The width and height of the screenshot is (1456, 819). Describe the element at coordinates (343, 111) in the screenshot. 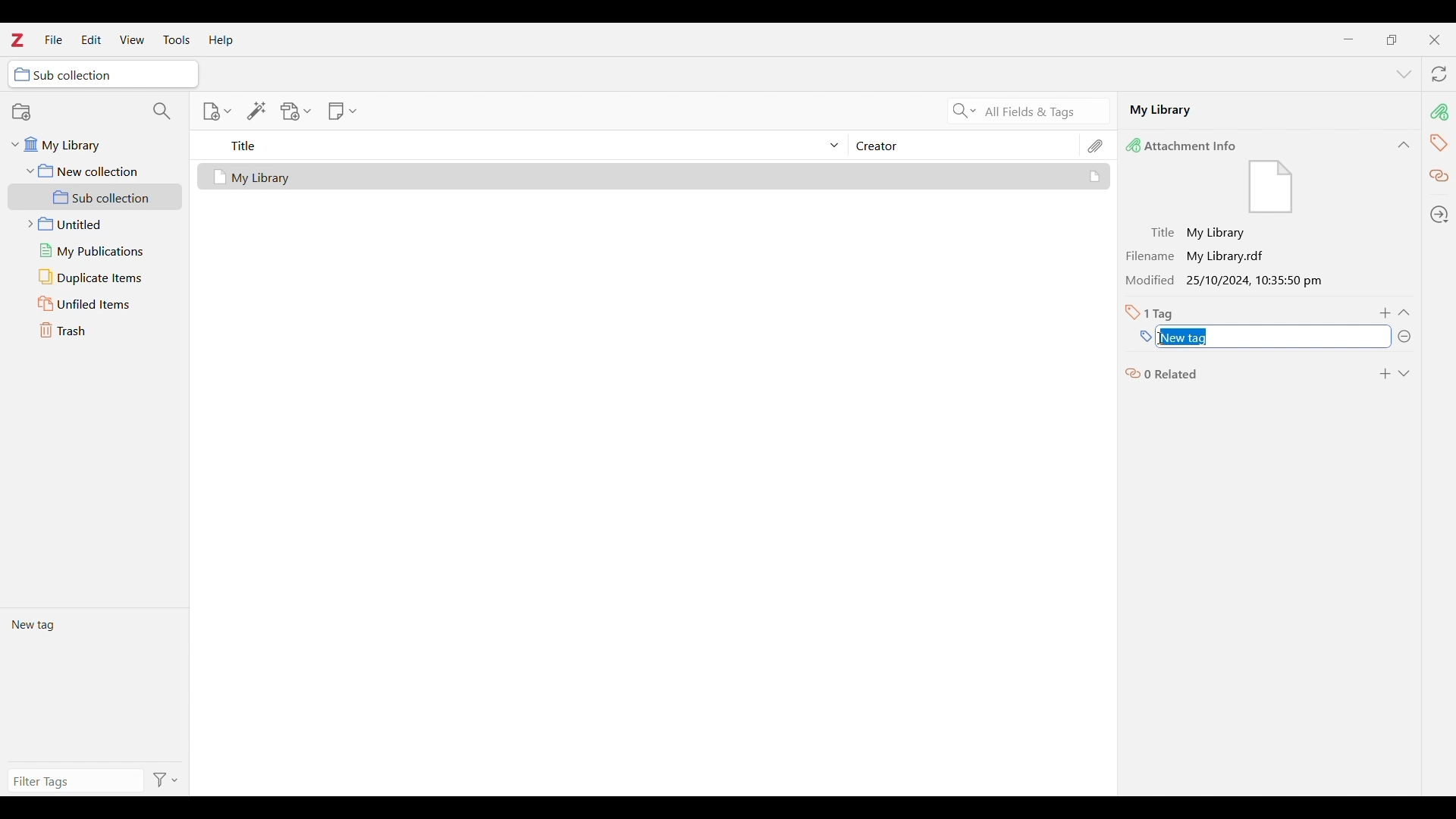

I see `New note options` at that location.